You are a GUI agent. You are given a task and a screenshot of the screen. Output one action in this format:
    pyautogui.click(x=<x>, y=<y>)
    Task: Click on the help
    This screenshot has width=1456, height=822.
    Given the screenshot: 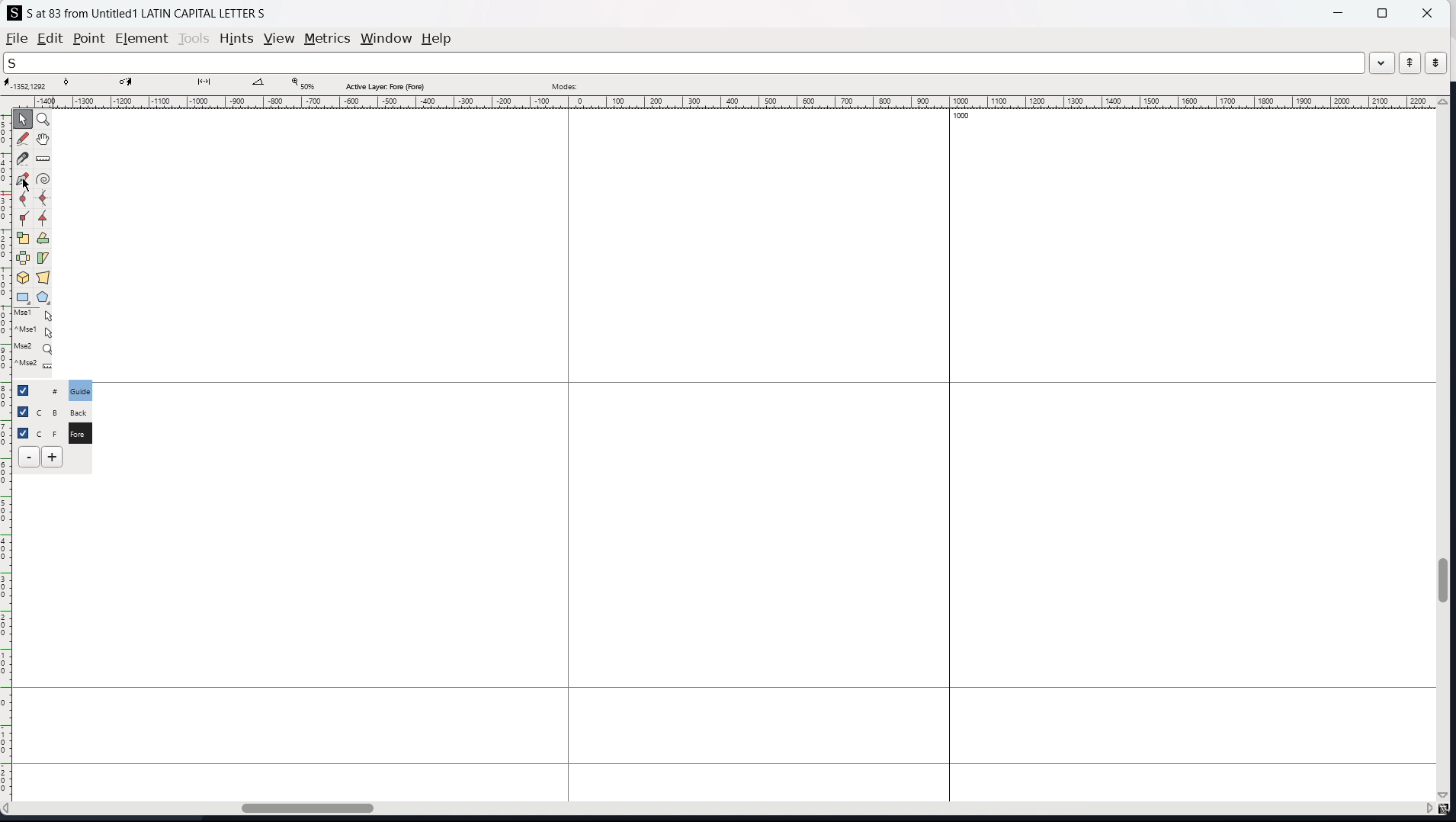 What is the action you would take?
    pyautogui.click(x=437, y=39)
    